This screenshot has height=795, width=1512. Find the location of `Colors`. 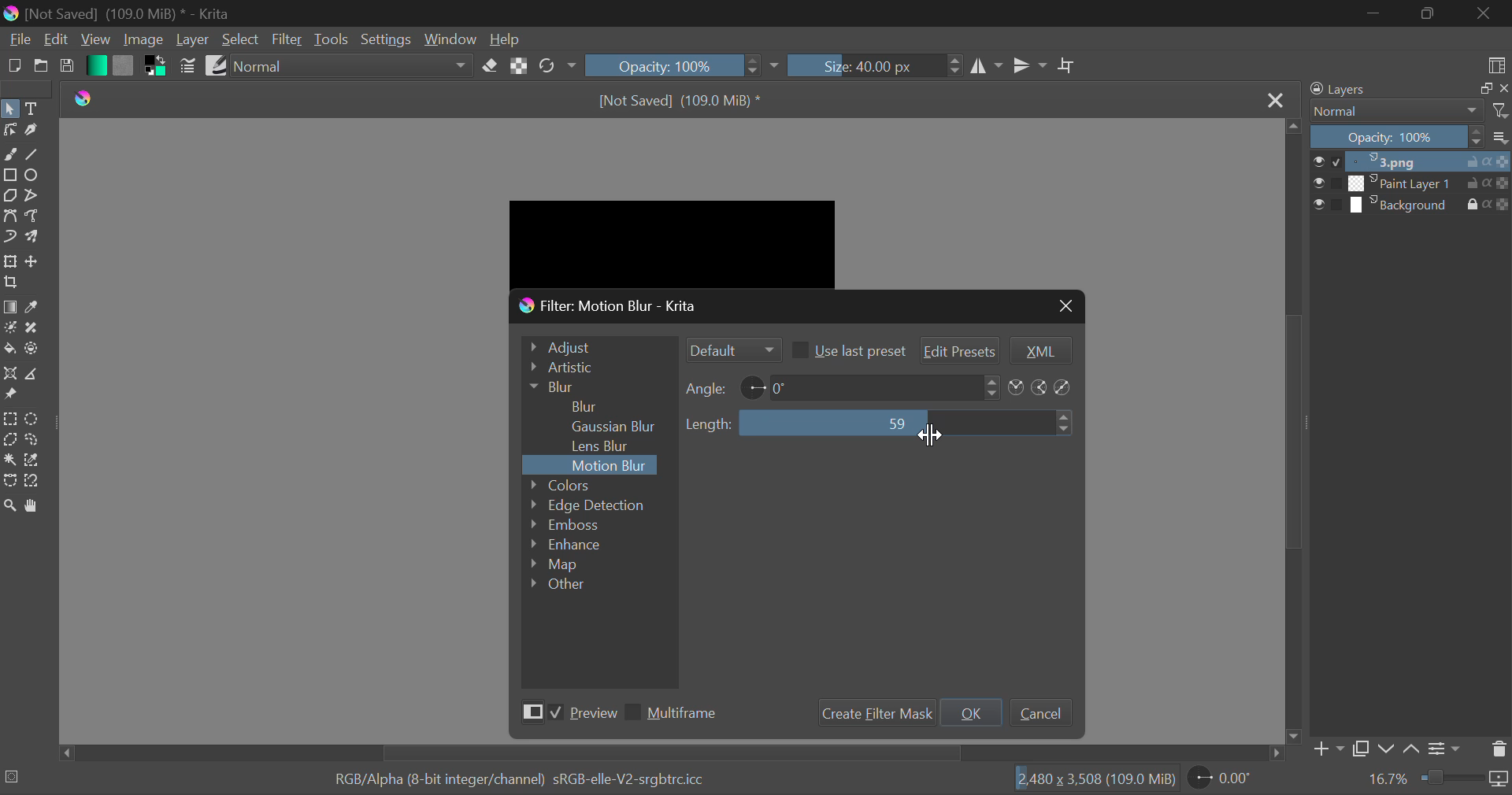

Colors is located at coordinates (582, 484).